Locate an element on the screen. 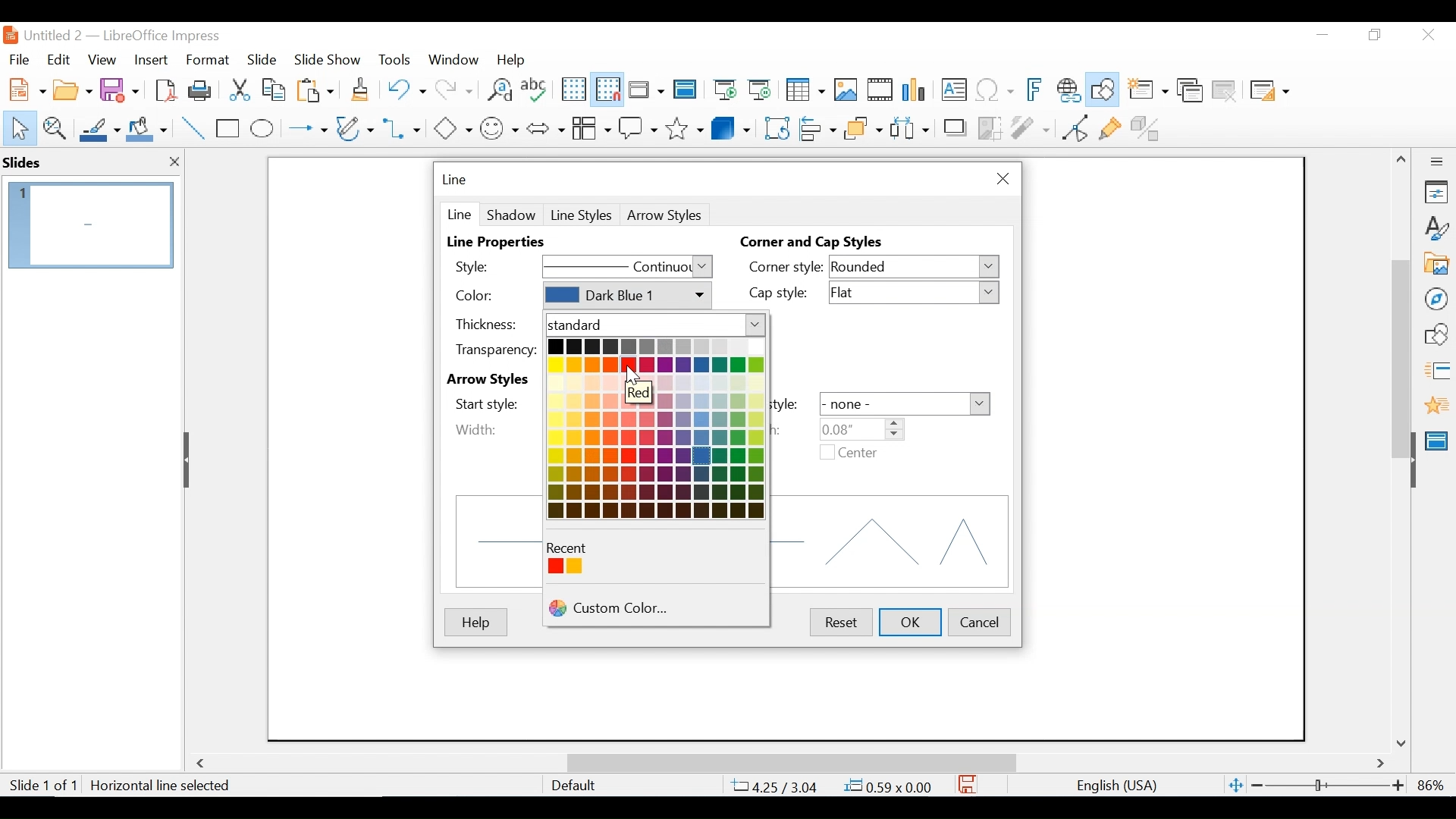 This screenshot has height=819, width=1456. 86% is located at coordinates (1434, 785).